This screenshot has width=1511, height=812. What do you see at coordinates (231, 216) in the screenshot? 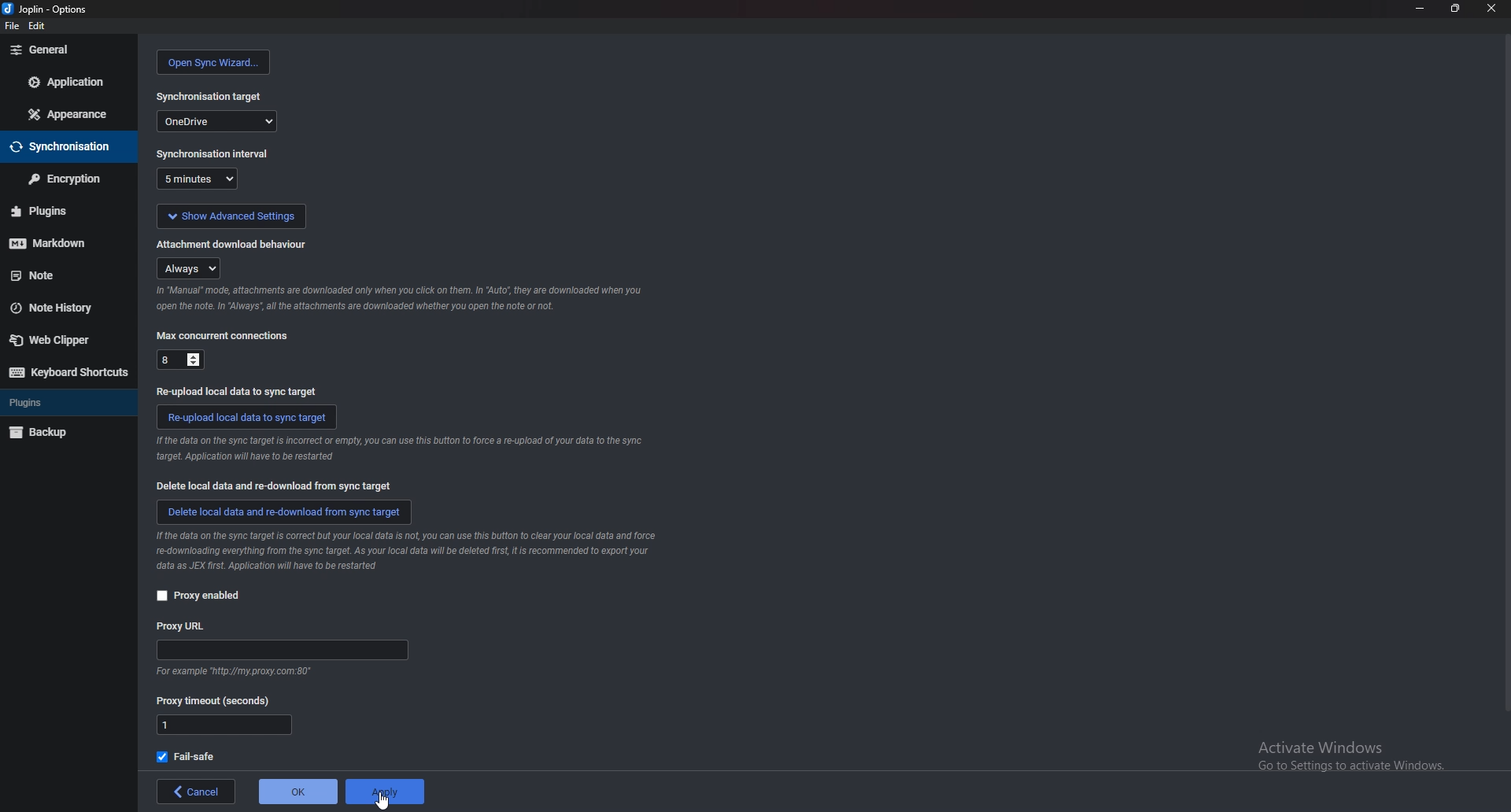
I see `show advanced settings` at bounding box center [231, 216].